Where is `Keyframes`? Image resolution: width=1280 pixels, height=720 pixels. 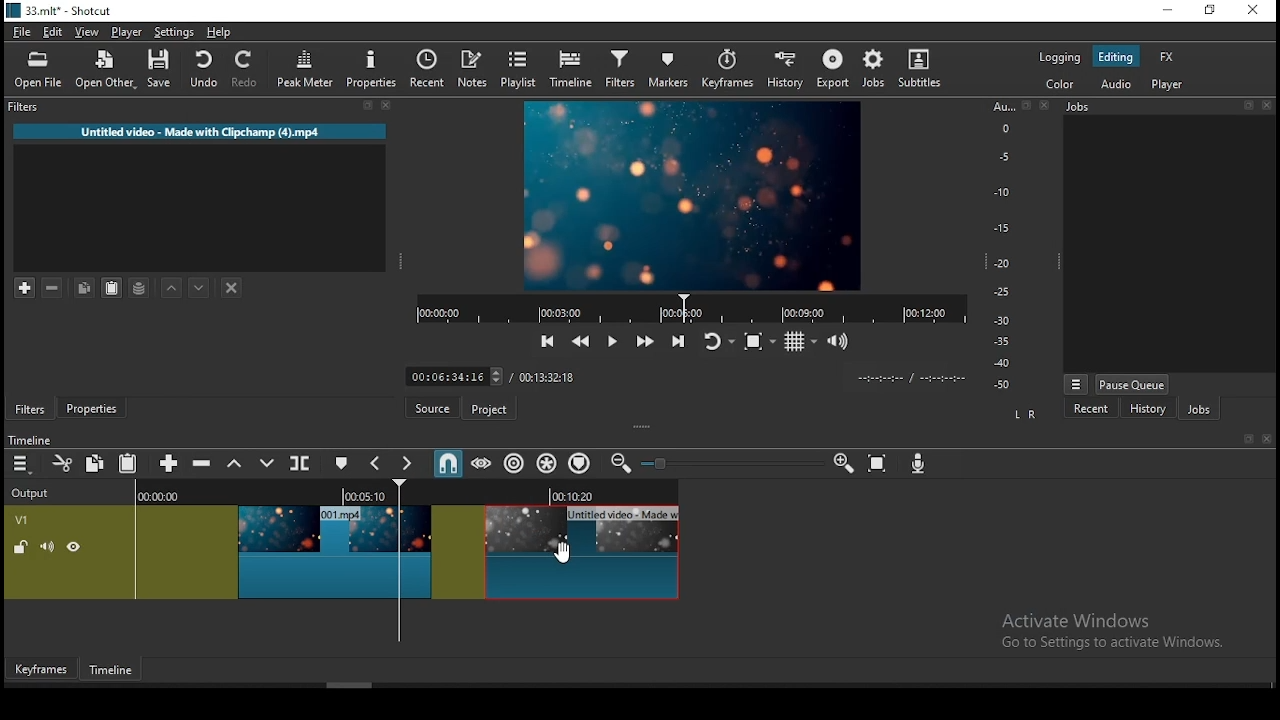 Keyframes is located at coordinates (39, 670).